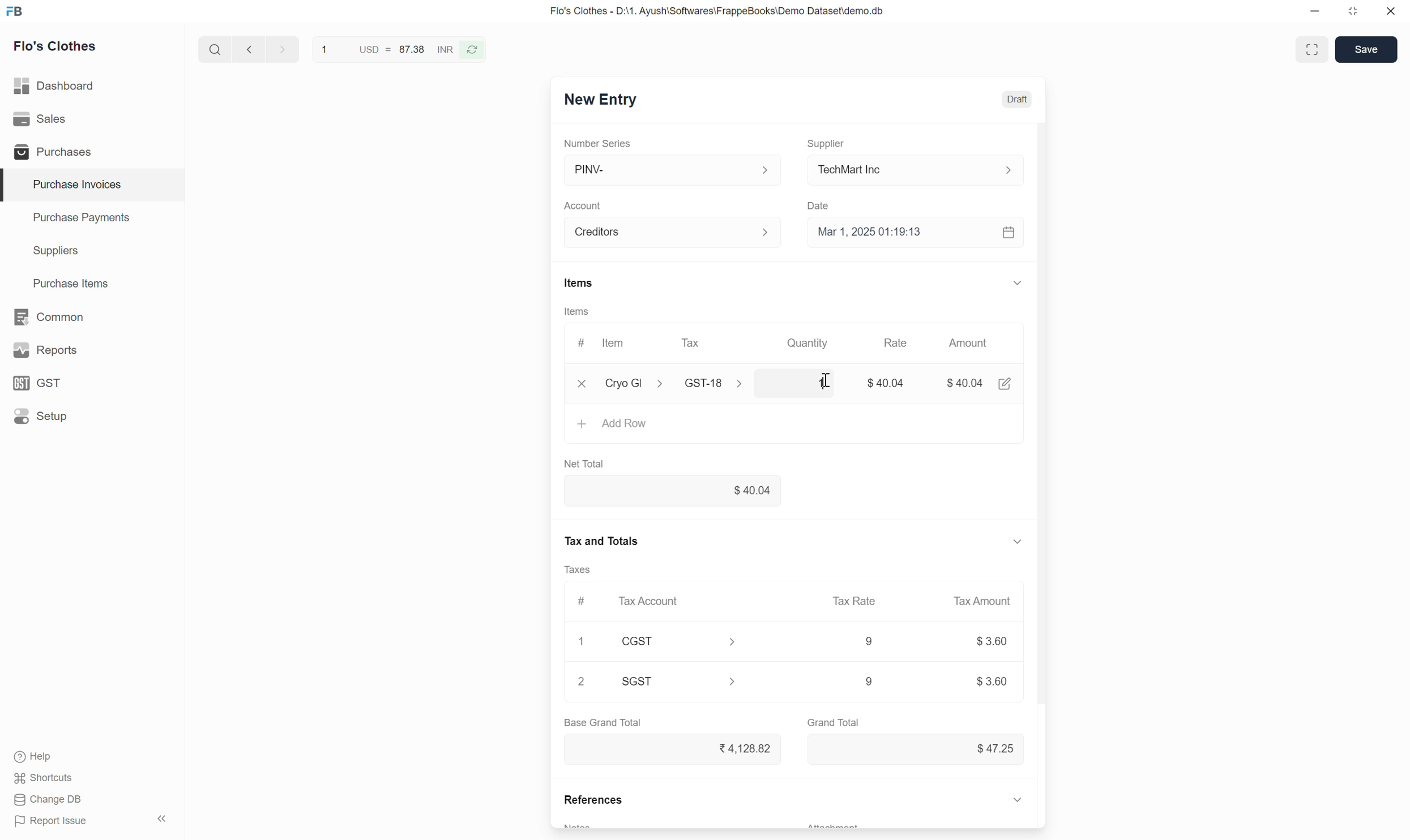 The height and width of the screenshot is (840, 1410). What do you see at coordinates (723, 383) in the screenshot?
I see `GST-18` at bounding box center [723, 383].